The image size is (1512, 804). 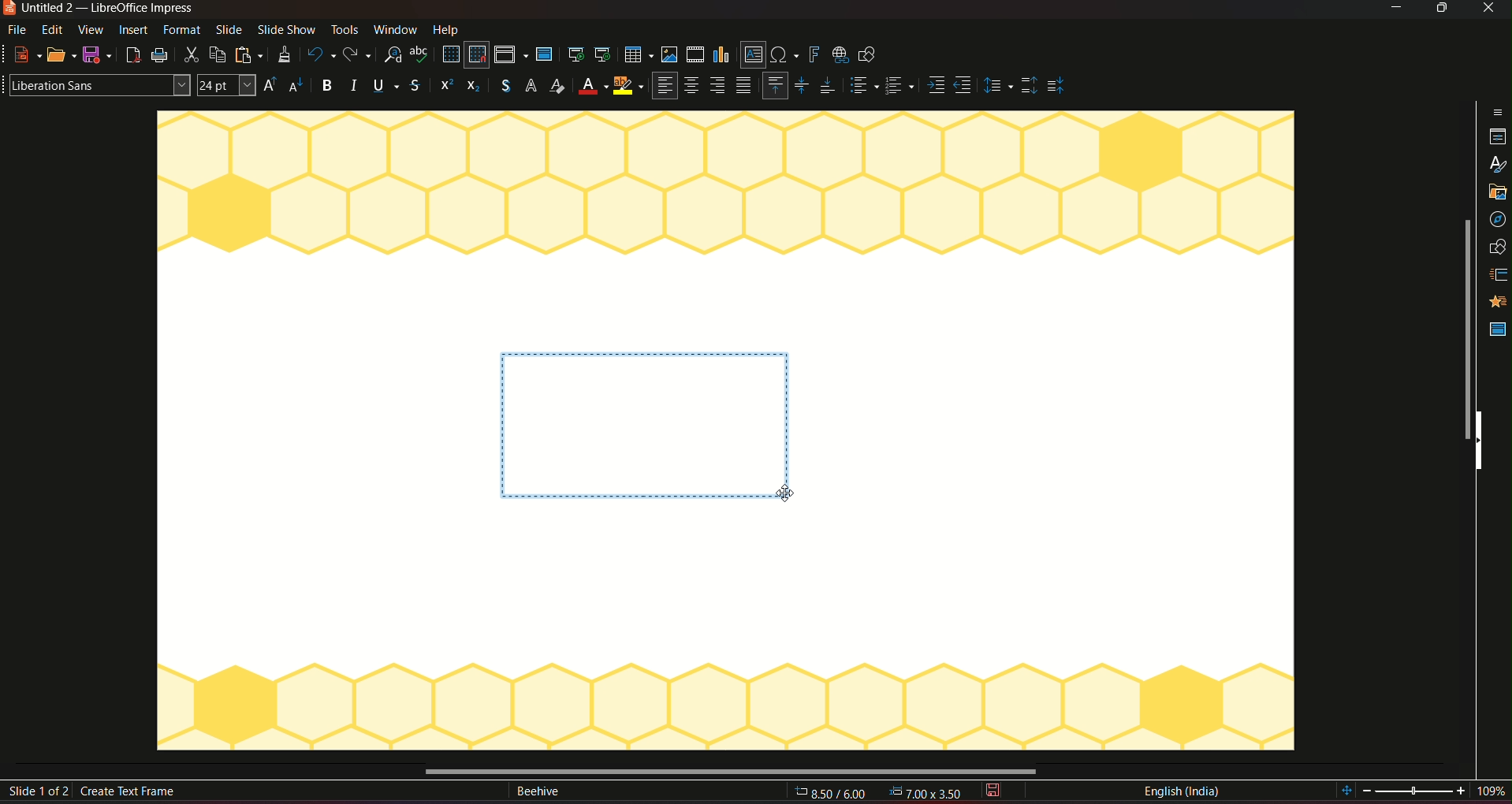 What do you see at coordinates (1463, 328) in the screenshot?
I see `vertical scrollbar` at bounding box center [1463, 328].